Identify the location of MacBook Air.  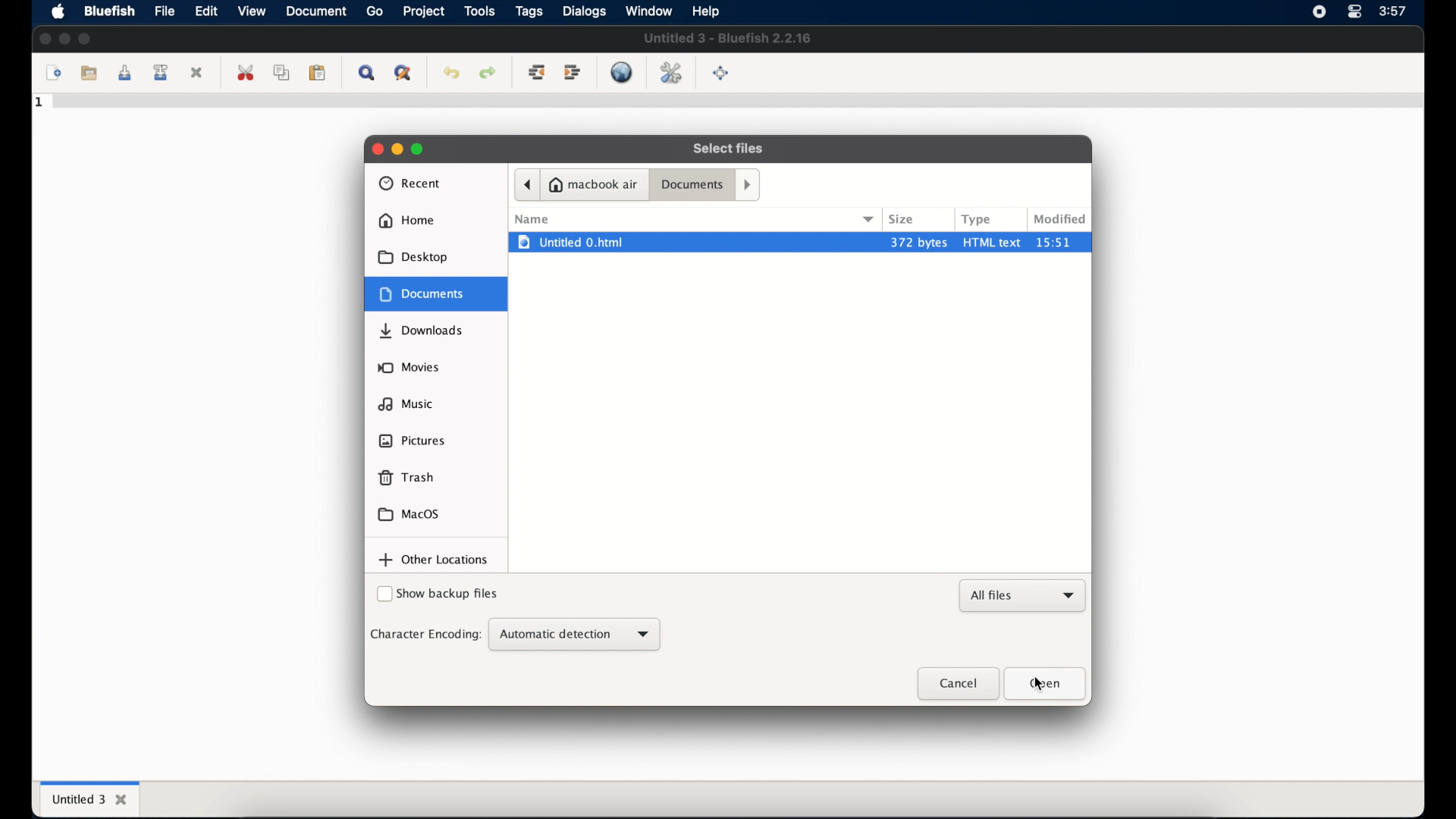
(595, 184).